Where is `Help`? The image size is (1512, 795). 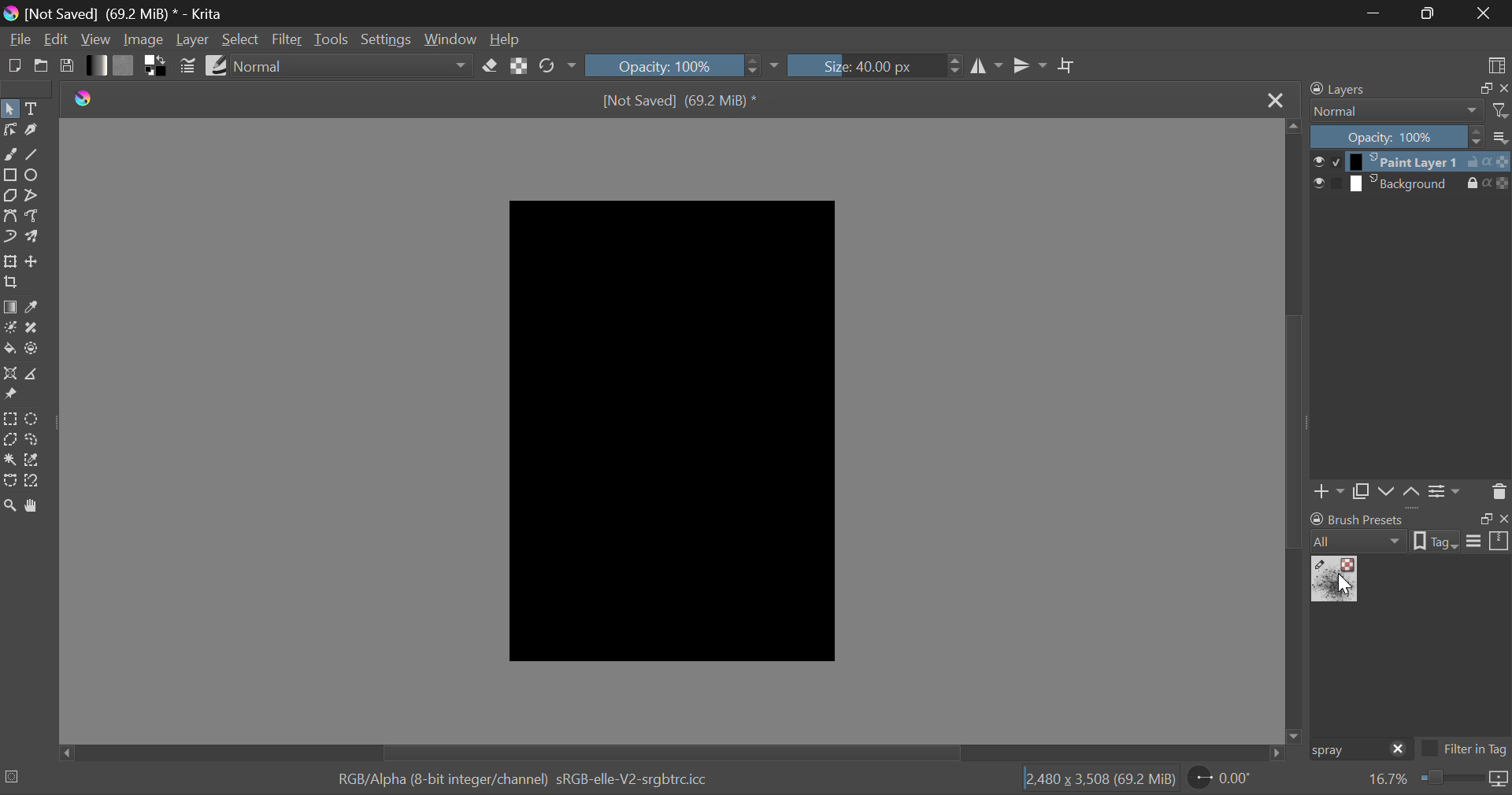 Help is located at coordinates (506, 36).